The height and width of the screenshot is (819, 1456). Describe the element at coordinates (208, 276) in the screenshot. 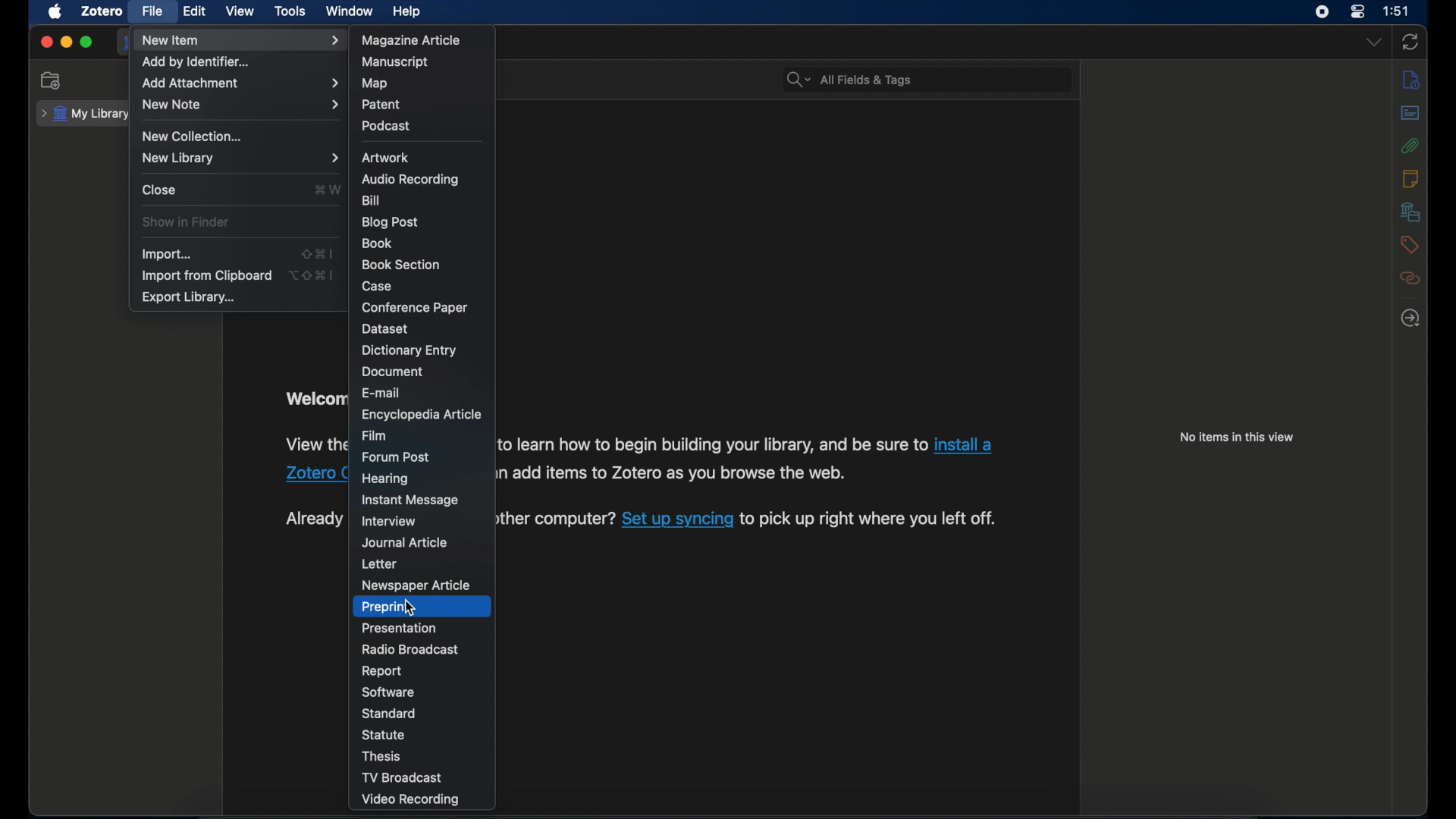

I see `import from clipboard` at that location.